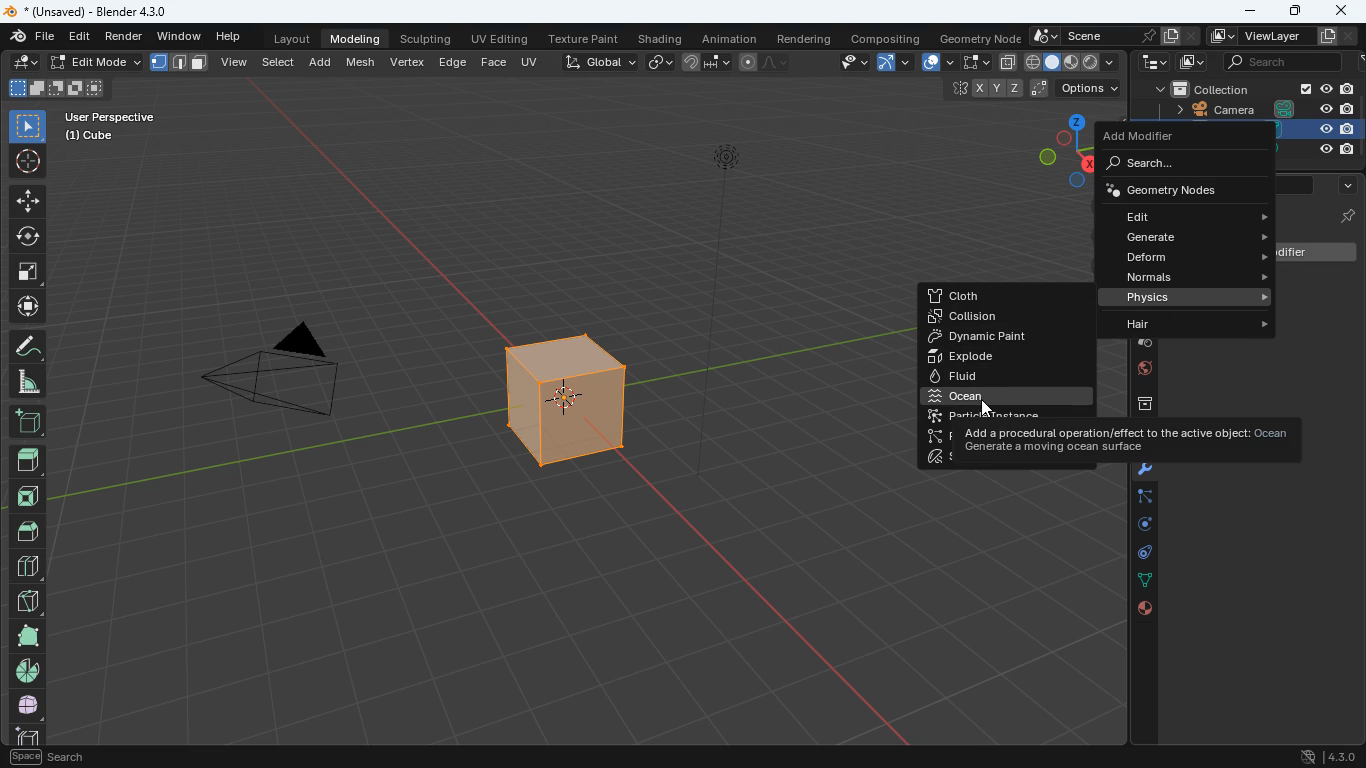 The width and height of the screenshot is (1366, 768). What do you see at coordinates (1256, 88) in the screenshot?
I see `collection` at bounding box center [1256, 88].